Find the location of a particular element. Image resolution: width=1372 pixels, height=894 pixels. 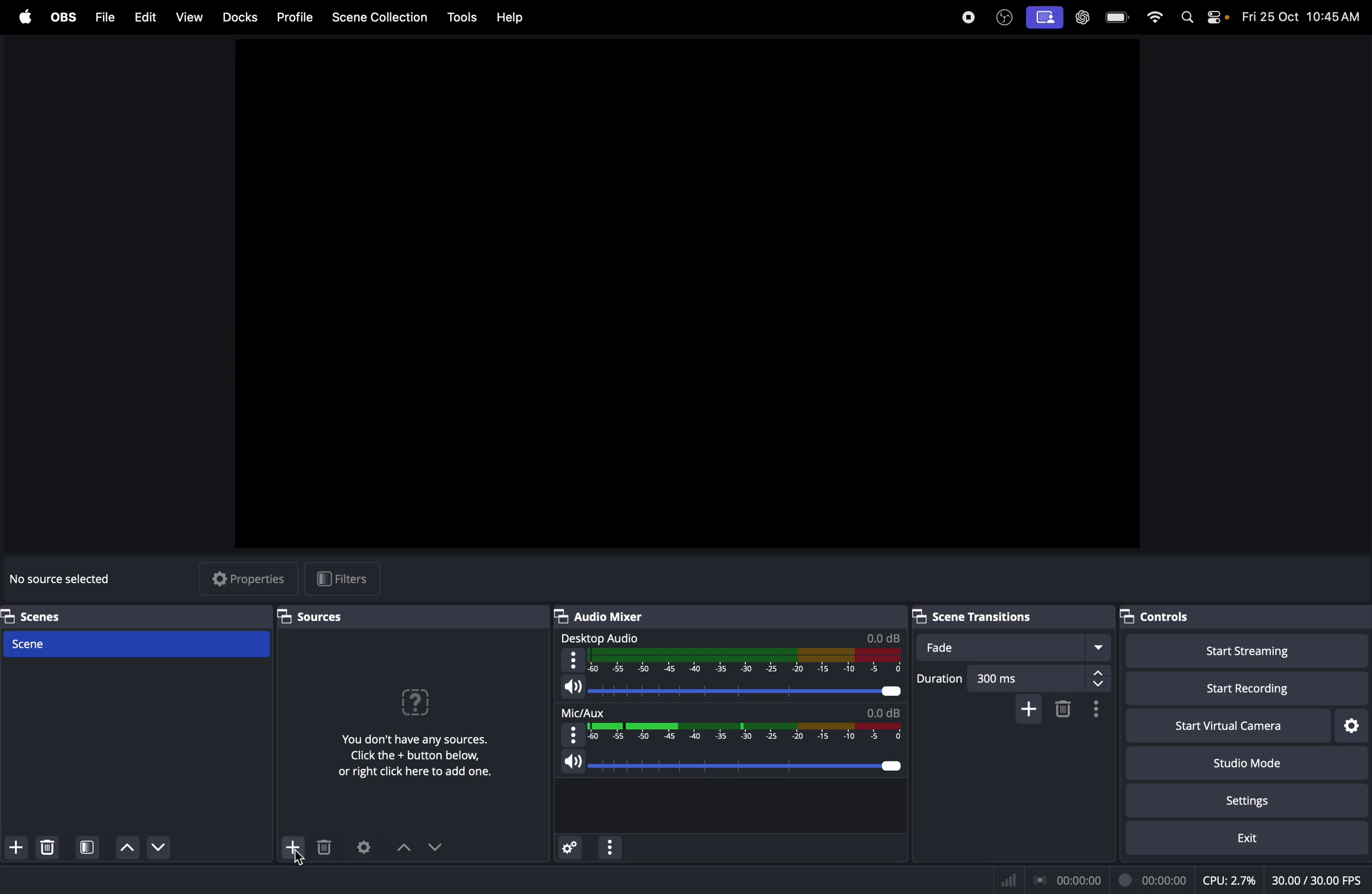

Cursor is located at coordinates (299, 862).